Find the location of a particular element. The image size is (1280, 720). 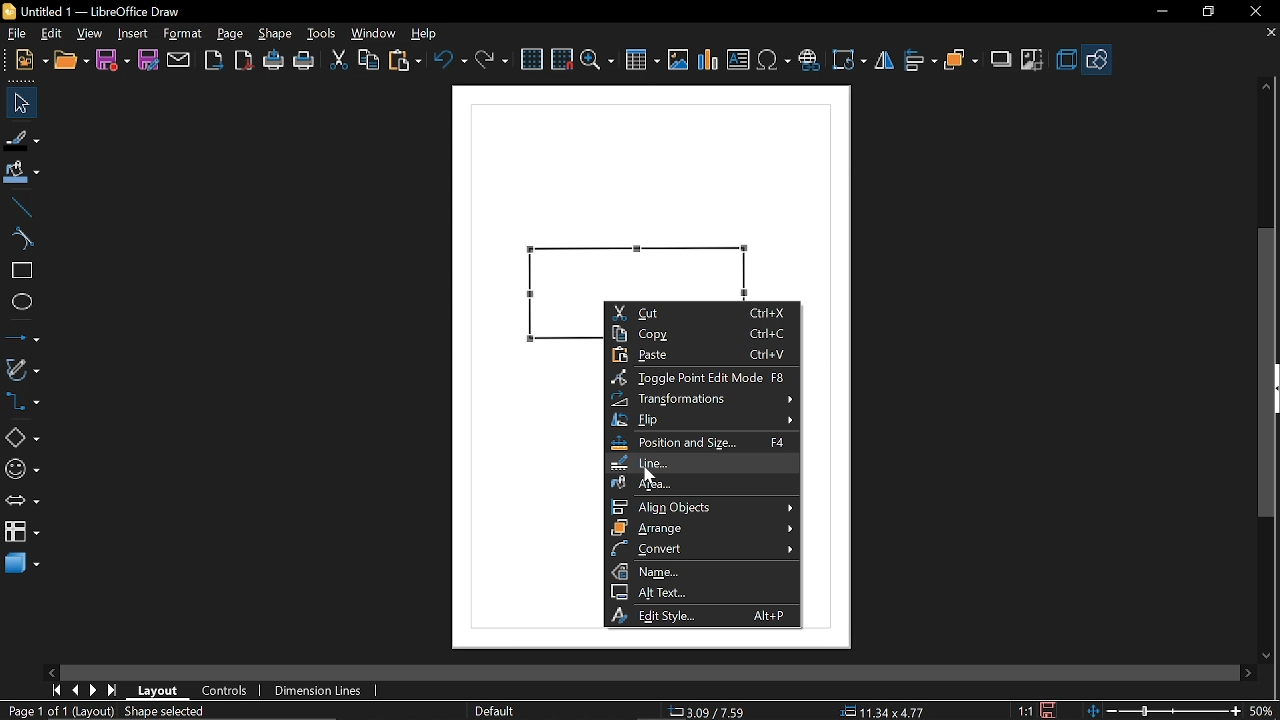

flip is located at coordinates (884, 61).